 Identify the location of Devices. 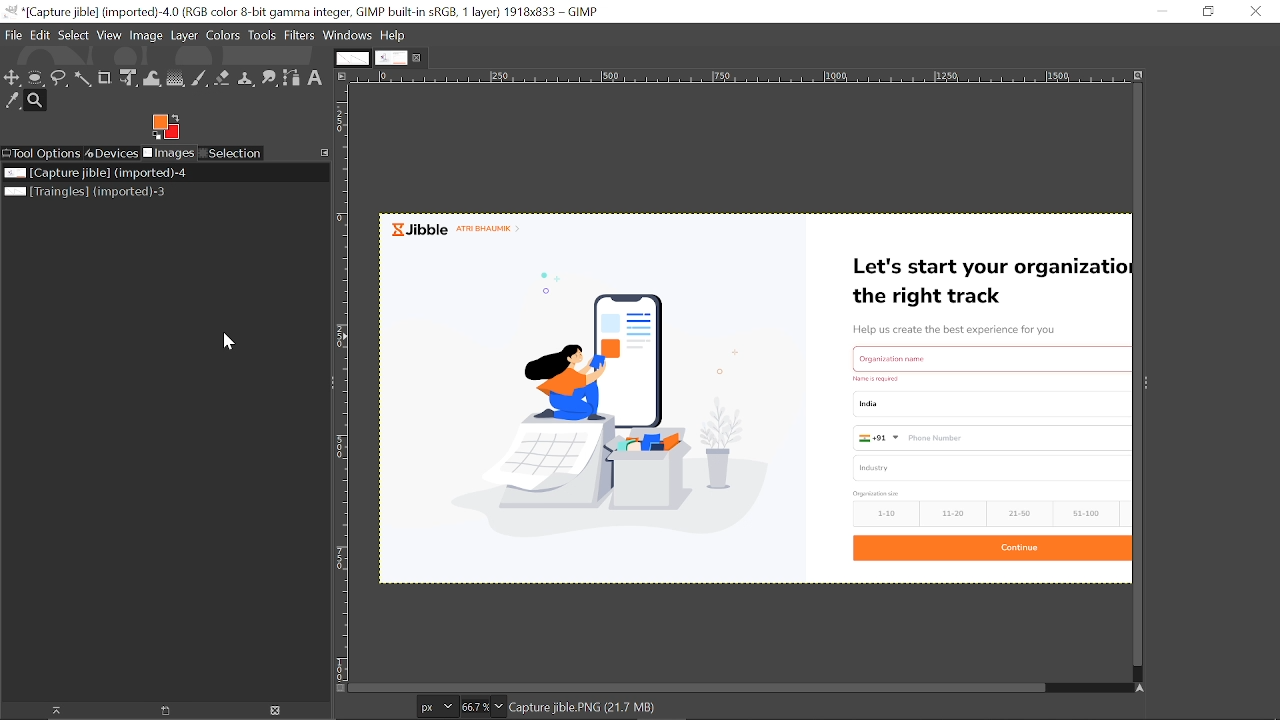
(113, 153).